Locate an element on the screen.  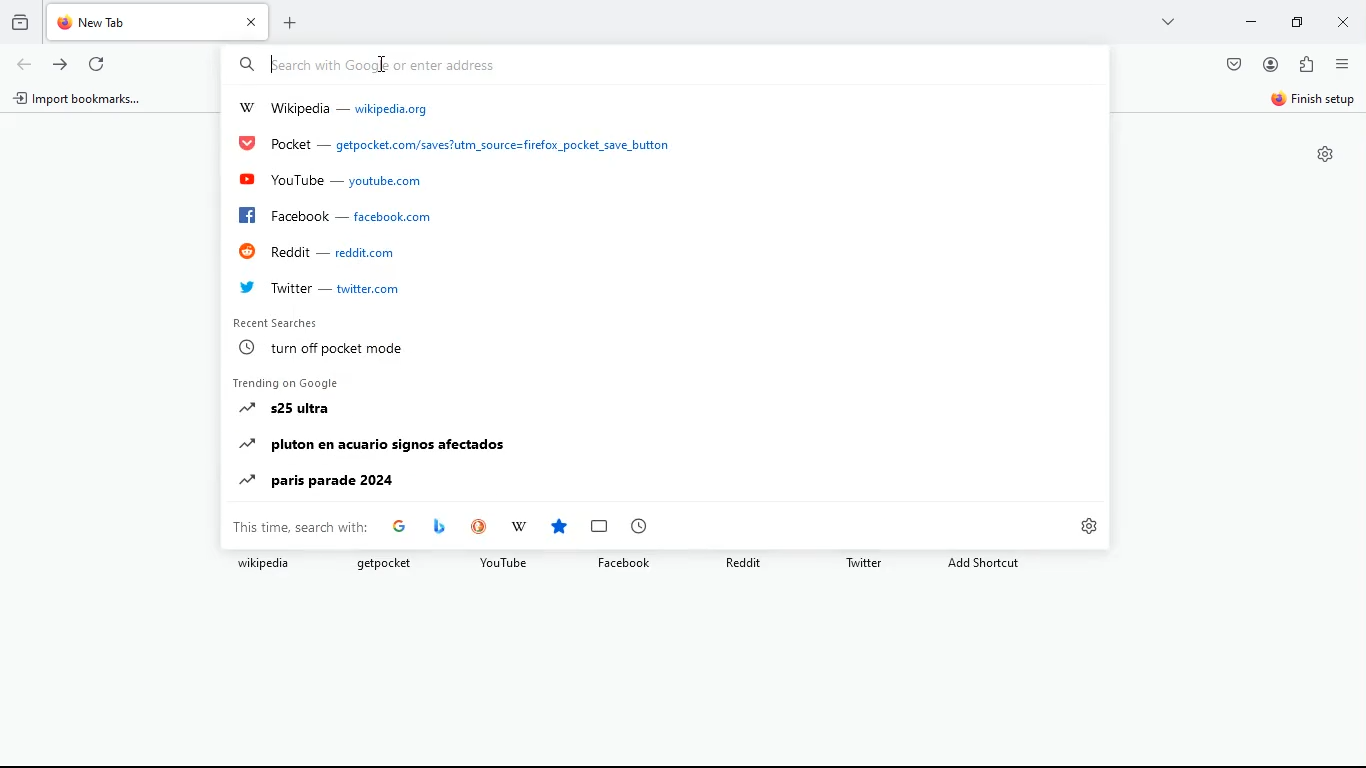
I Facebook — facebook.com is located at coordinates (331, 216).